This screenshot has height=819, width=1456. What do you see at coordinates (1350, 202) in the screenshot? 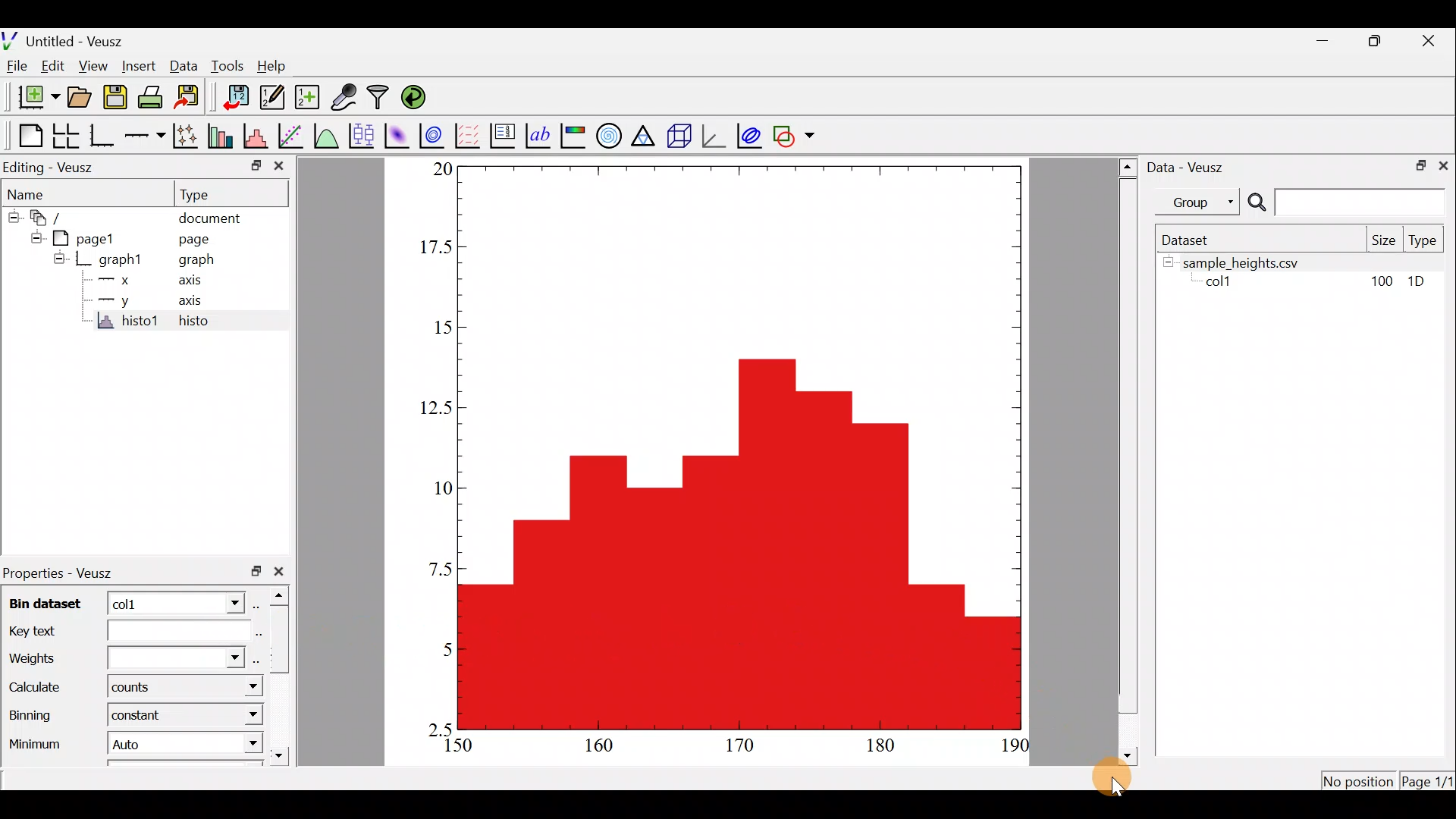
I see `search bar` at bounding box center [1350, 202].